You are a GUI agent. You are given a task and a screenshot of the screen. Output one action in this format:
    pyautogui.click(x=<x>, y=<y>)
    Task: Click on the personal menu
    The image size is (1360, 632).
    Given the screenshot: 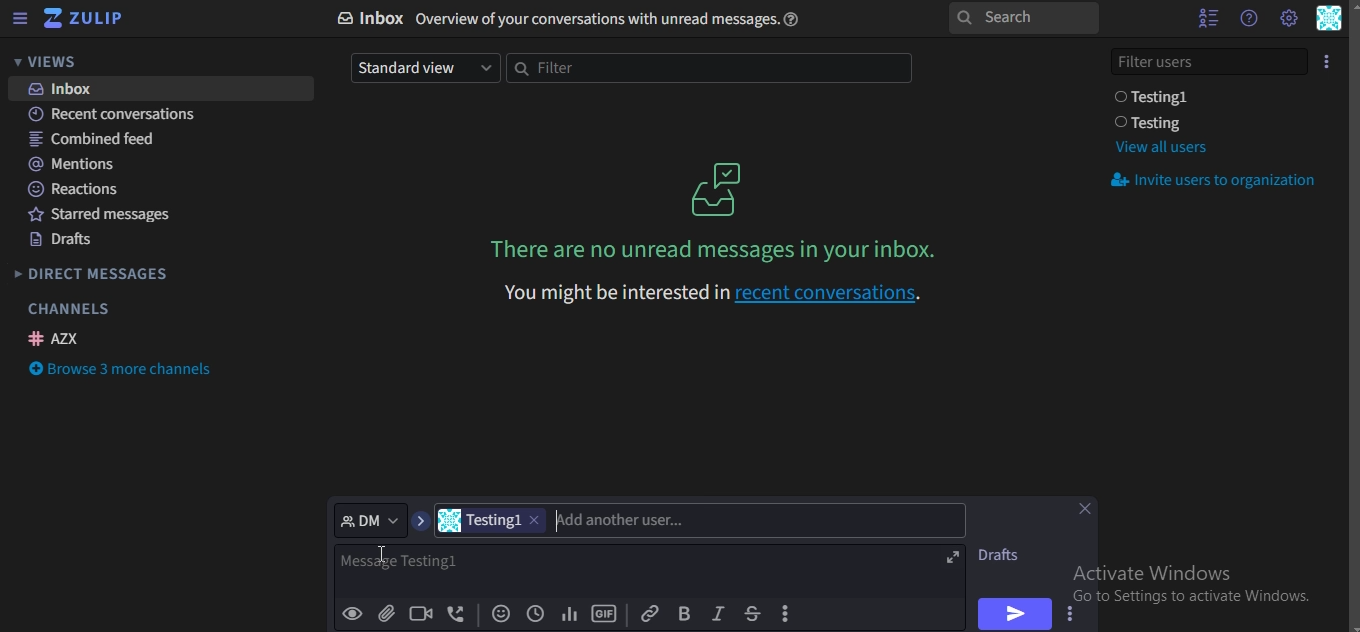 What is the action you would take?
    pyautogui.click(x=1330, y=20)
    